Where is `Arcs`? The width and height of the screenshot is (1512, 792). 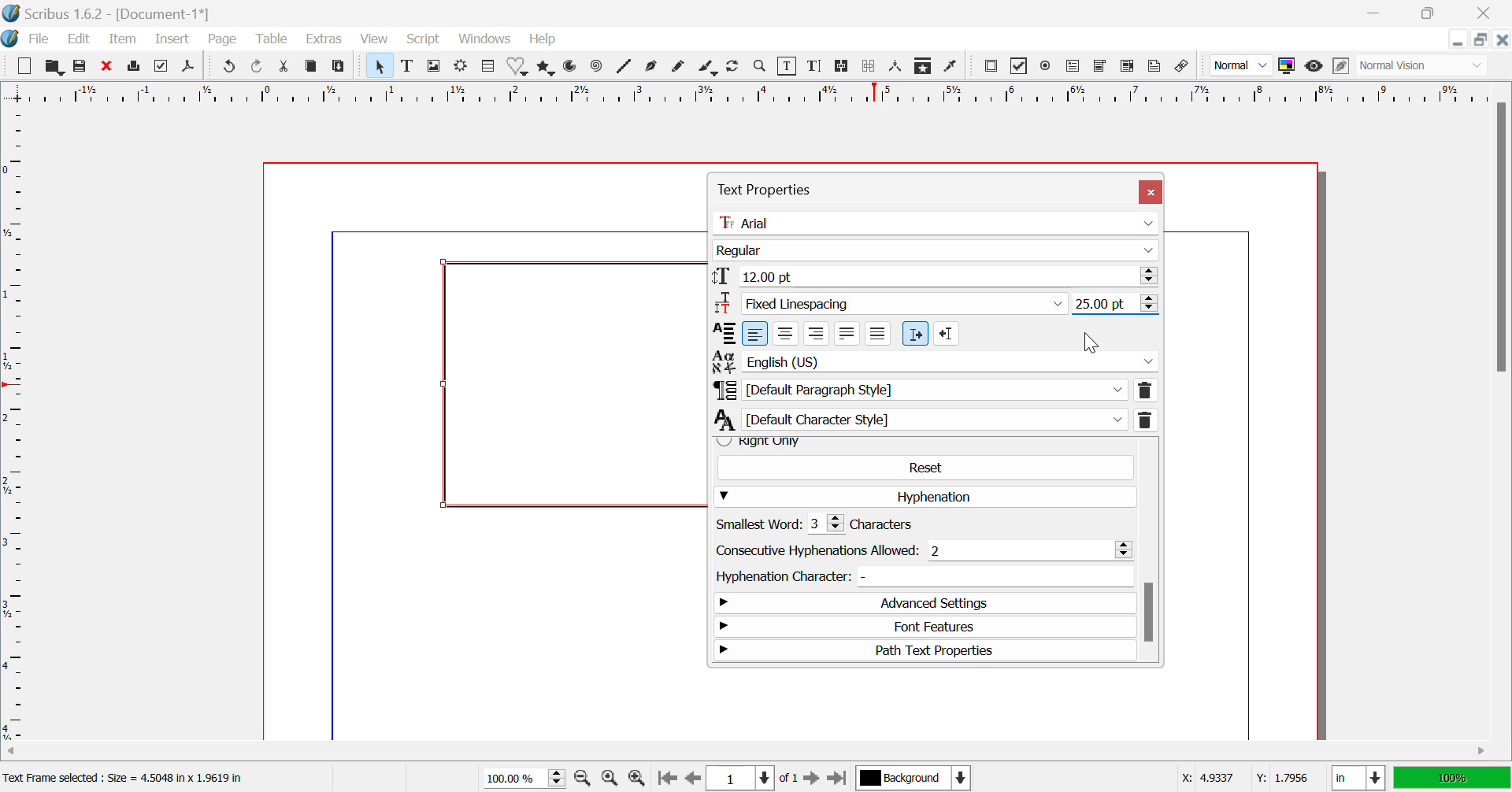 Arcs is located at coordinates (573, 68).